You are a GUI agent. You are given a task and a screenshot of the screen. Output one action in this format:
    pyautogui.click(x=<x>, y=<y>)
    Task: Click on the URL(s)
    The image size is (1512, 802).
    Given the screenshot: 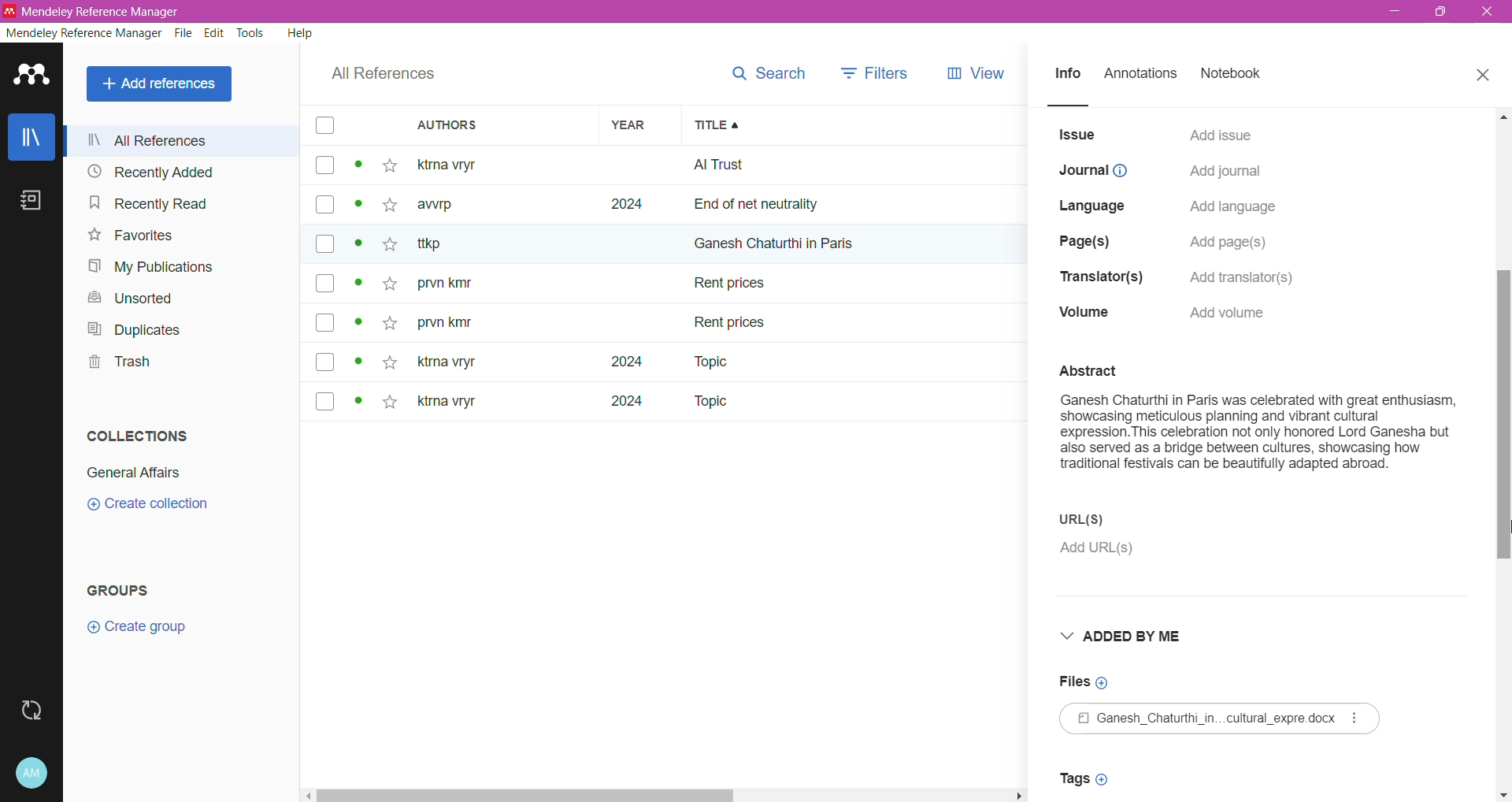 What is the action you would take?
    pyautogui.click(x=1113, y=519)
    